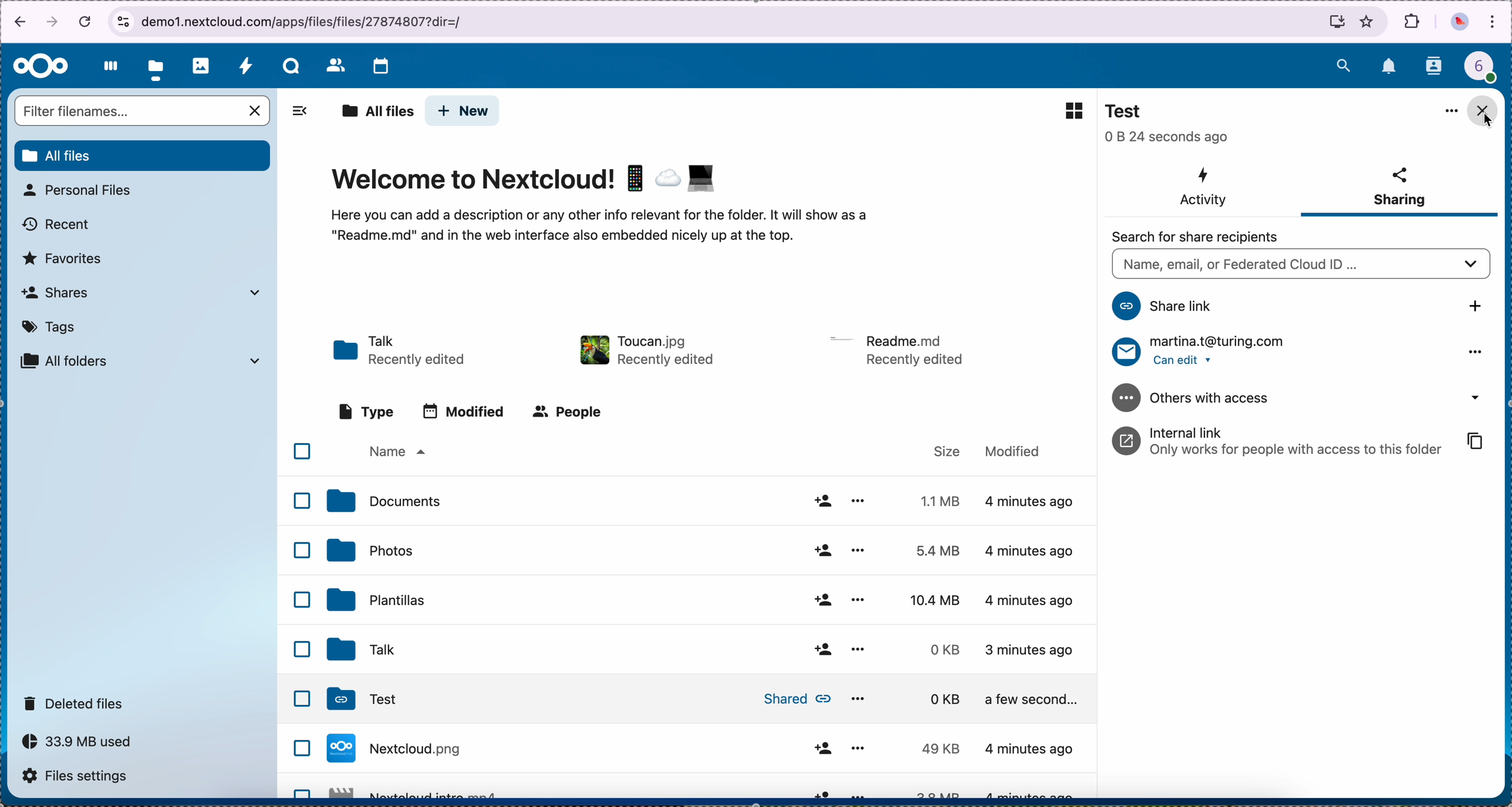  Describe the element at coordinates (1300, 352) in the screenshot. I see `martina.t@turing.com can edit` at that location.